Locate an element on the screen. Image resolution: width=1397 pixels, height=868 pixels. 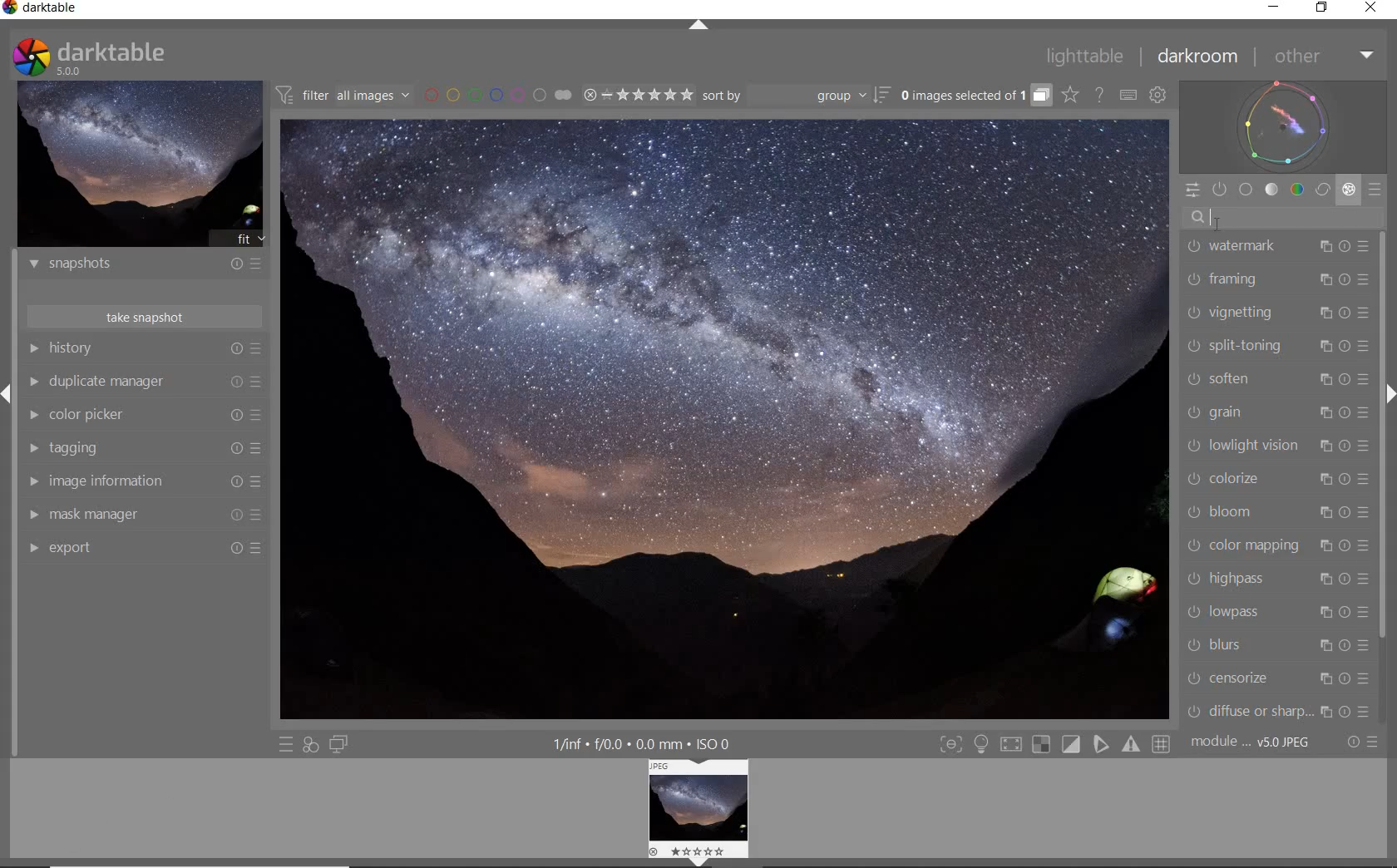
Reset is located at coordinates (237, 417).